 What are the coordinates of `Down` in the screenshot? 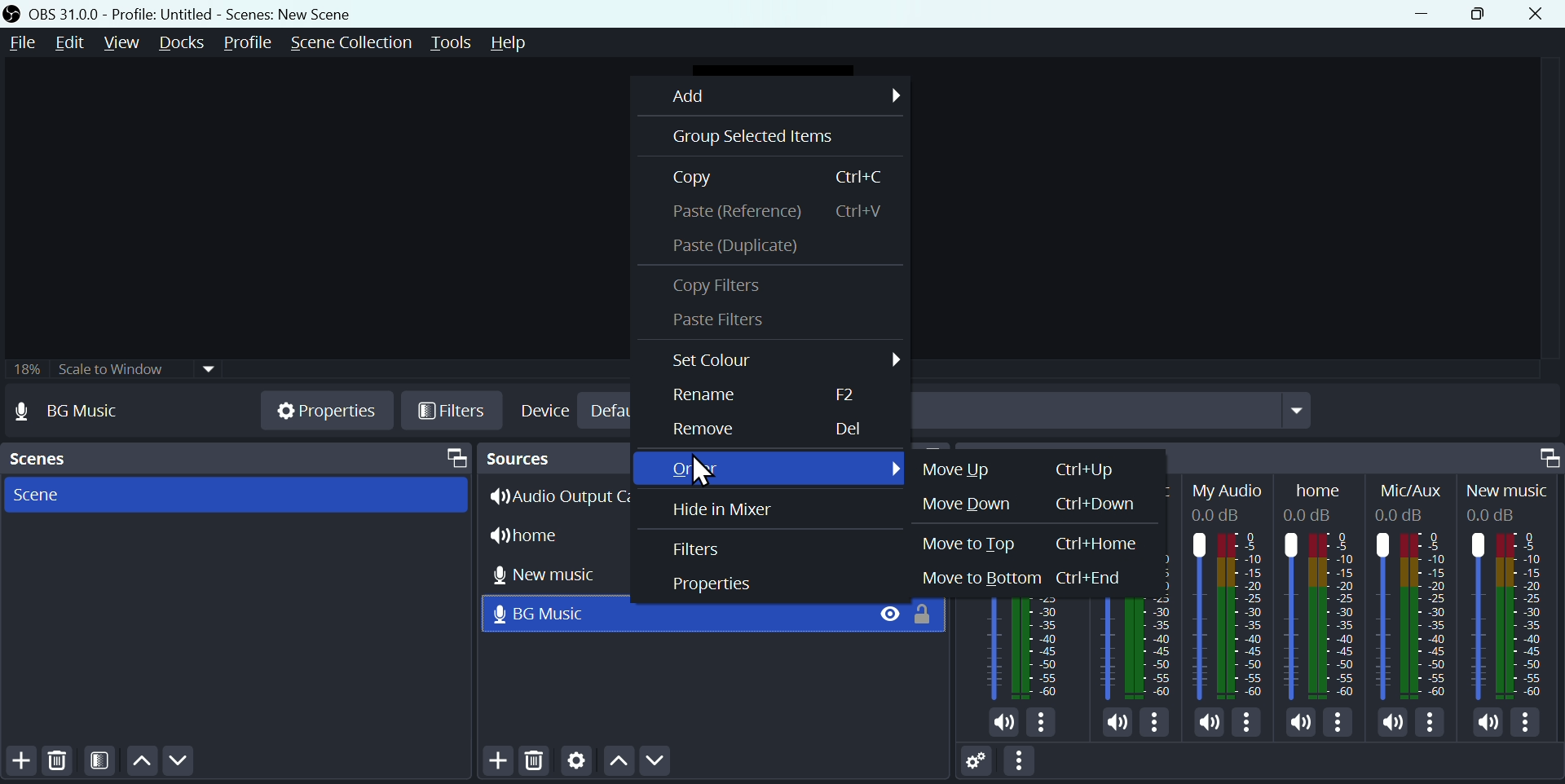 It's located at (681, 765).